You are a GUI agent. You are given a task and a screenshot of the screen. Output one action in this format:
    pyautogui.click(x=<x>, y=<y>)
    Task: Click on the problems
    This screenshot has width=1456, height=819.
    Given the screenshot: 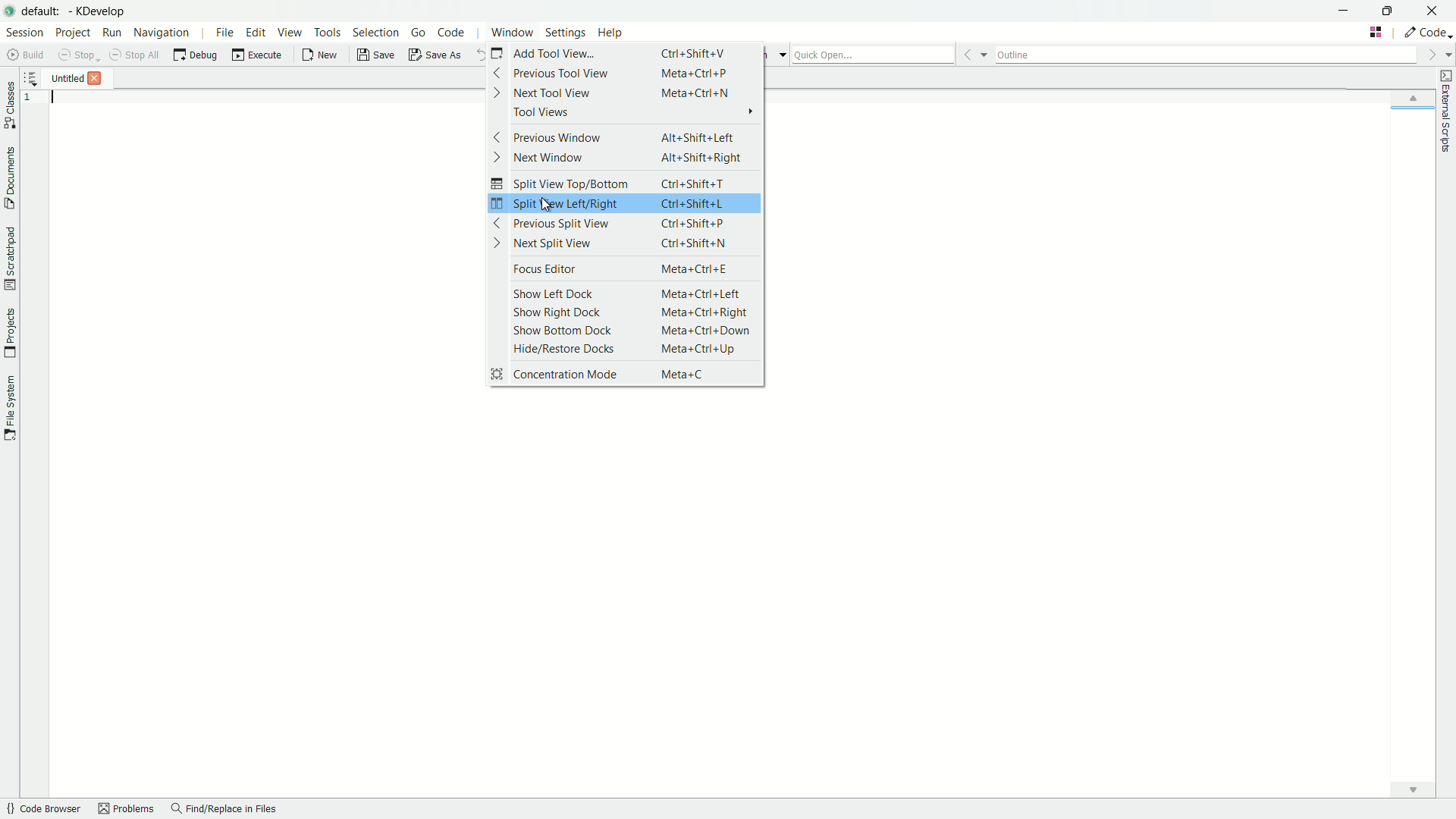 What is the action you would take?
    pyautogui.click(x=124, y=810)
    